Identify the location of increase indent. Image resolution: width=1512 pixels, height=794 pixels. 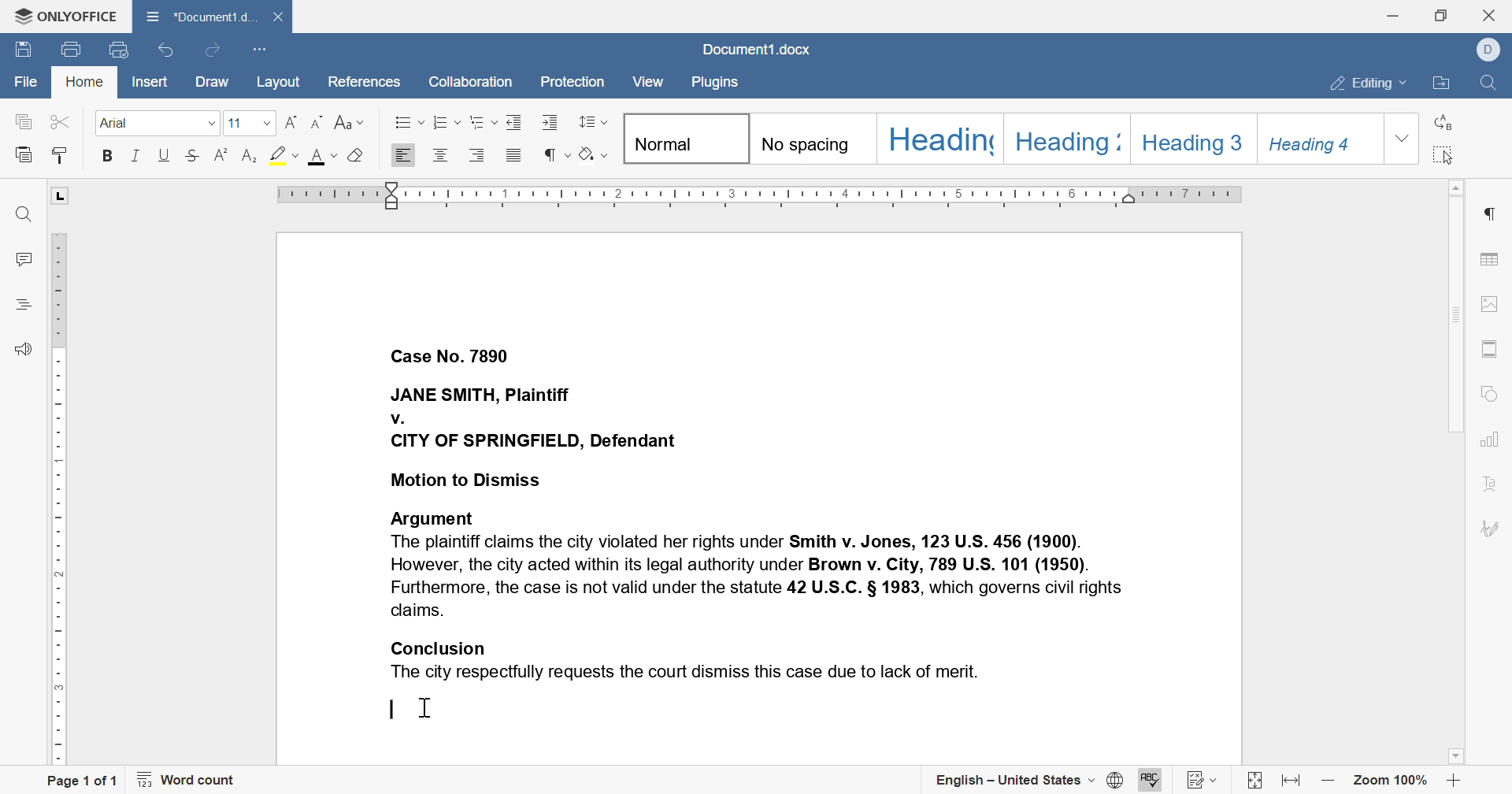
(552, 122).